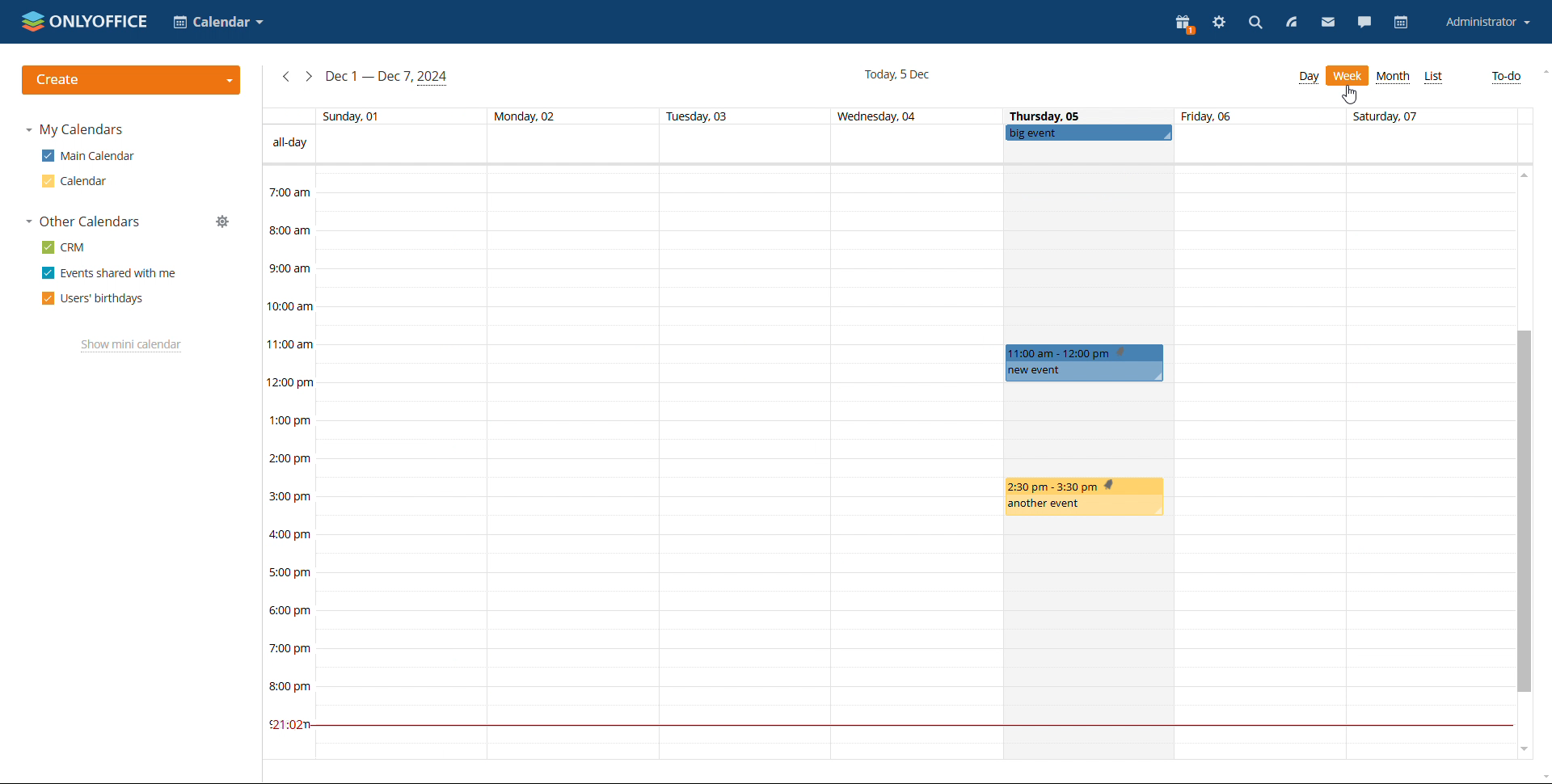 This screenshot has height=784, width=1552. Describe the element at coordinates (224, 222) in the screenshot. I see `manage` at that location.